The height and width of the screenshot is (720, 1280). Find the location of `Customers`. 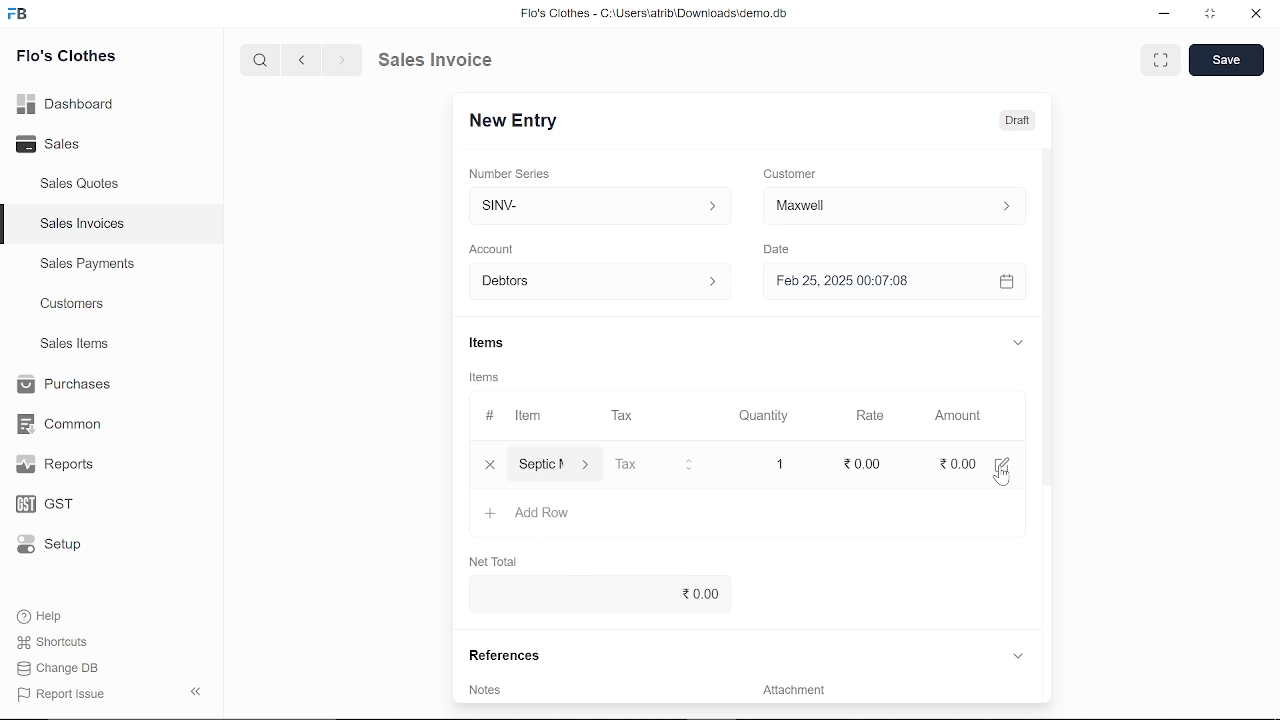

Customers is located at coordinates (74, 303).